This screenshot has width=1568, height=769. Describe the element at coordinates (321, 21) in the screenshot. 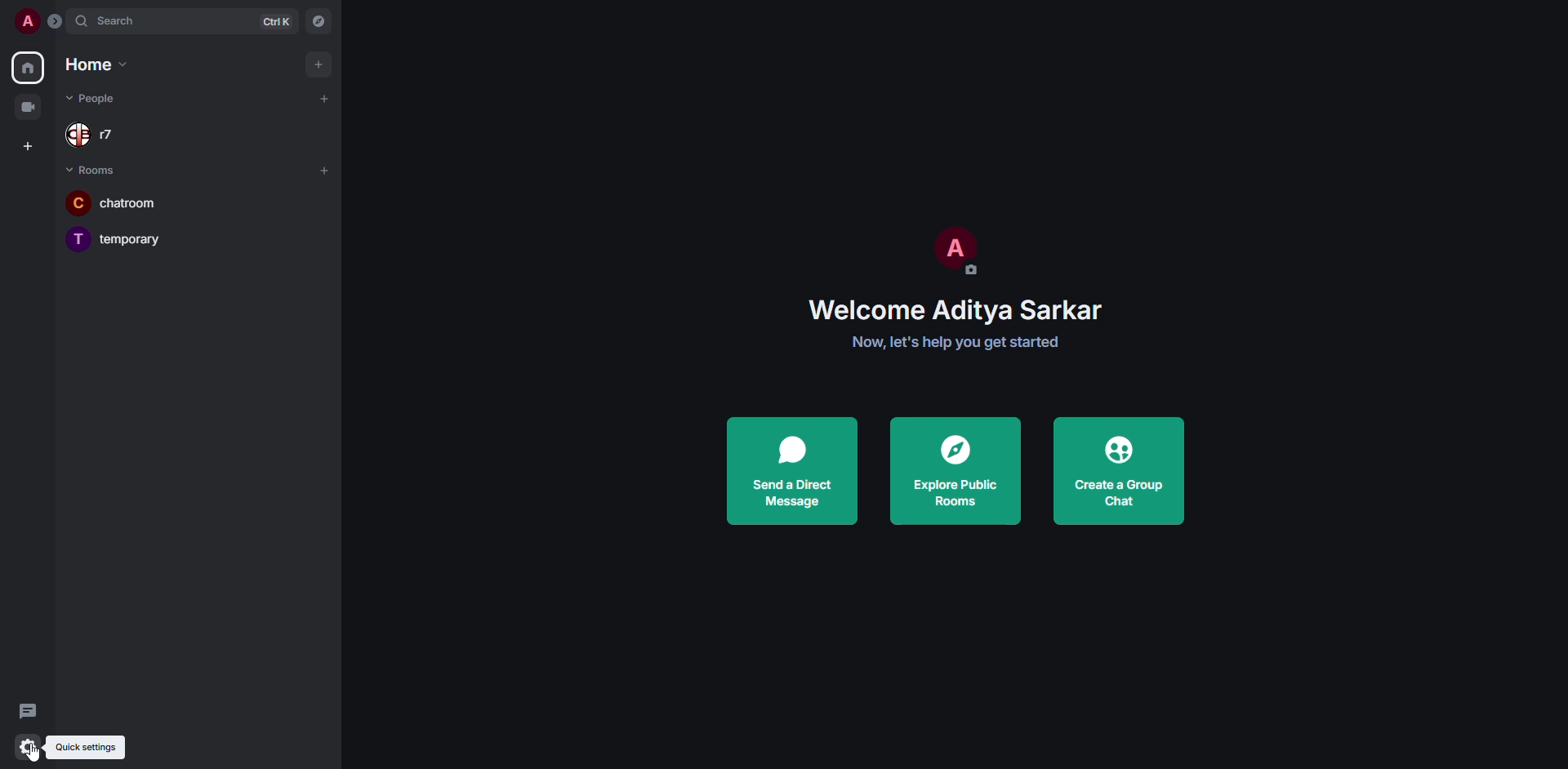

I see `navigator` at that location.